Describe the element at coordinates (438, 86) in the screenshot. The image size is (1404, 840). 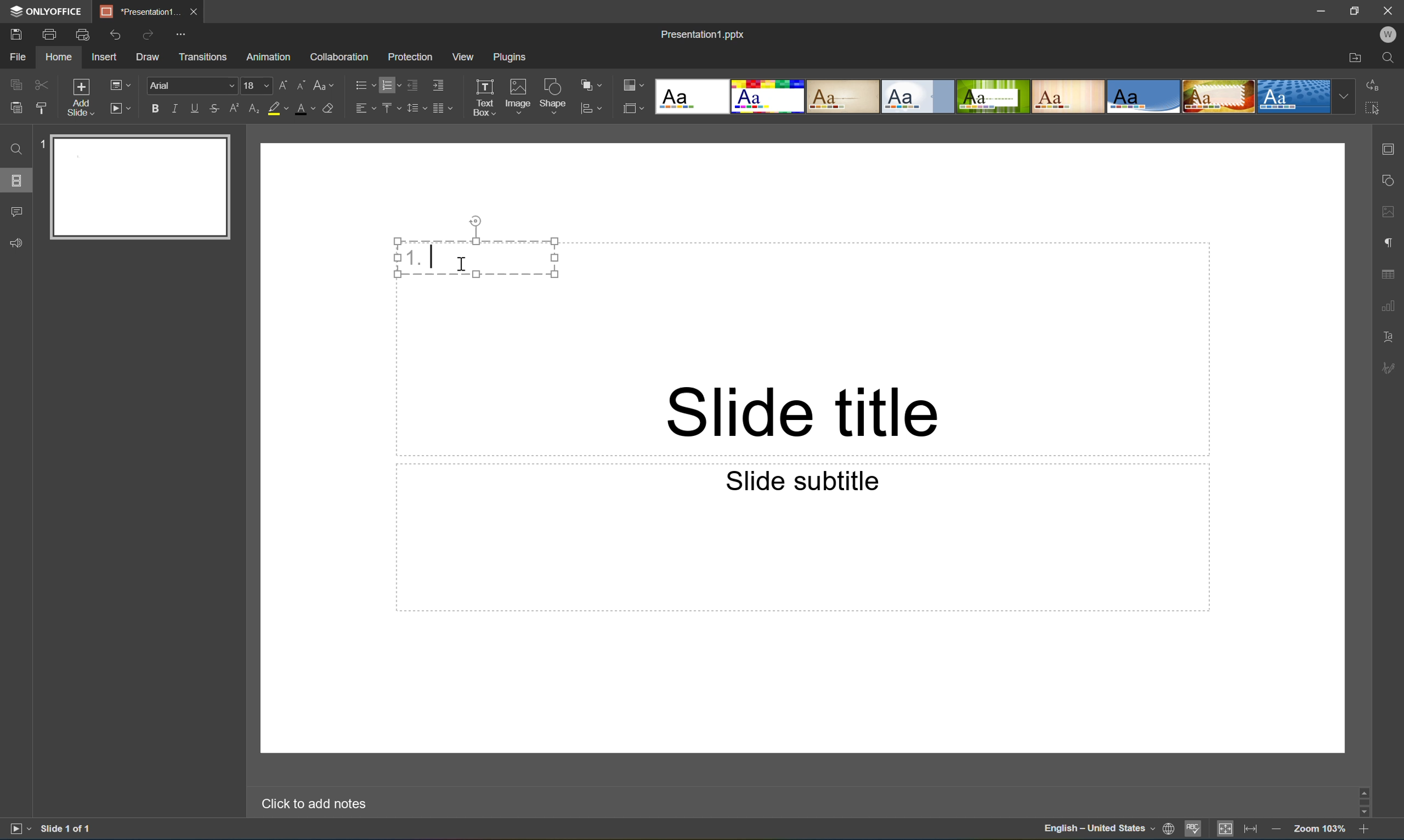
I see `Increase indent` at that location.